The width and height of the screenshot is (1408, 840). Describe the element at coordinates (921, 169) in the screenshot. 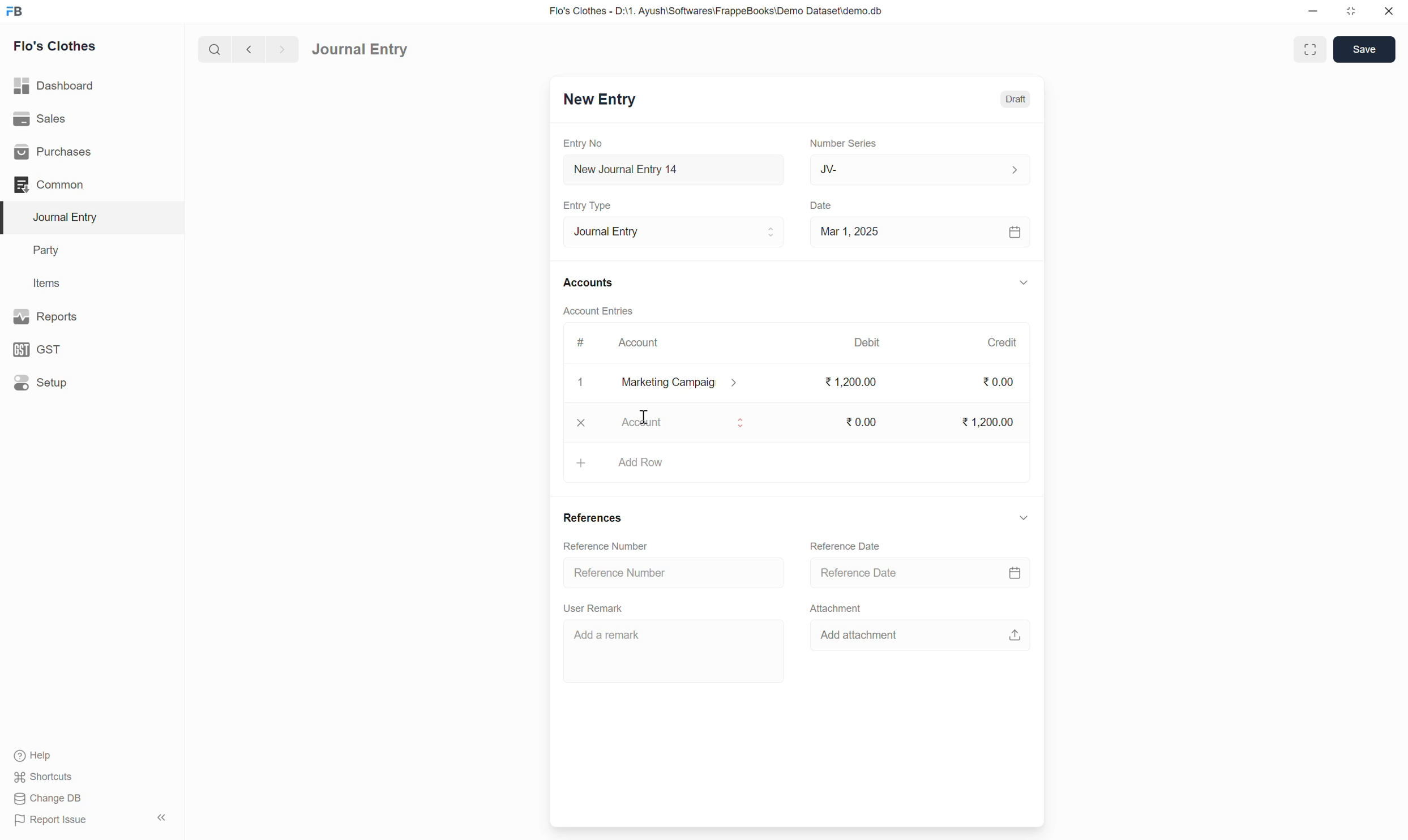

I see `JV-` at that location.